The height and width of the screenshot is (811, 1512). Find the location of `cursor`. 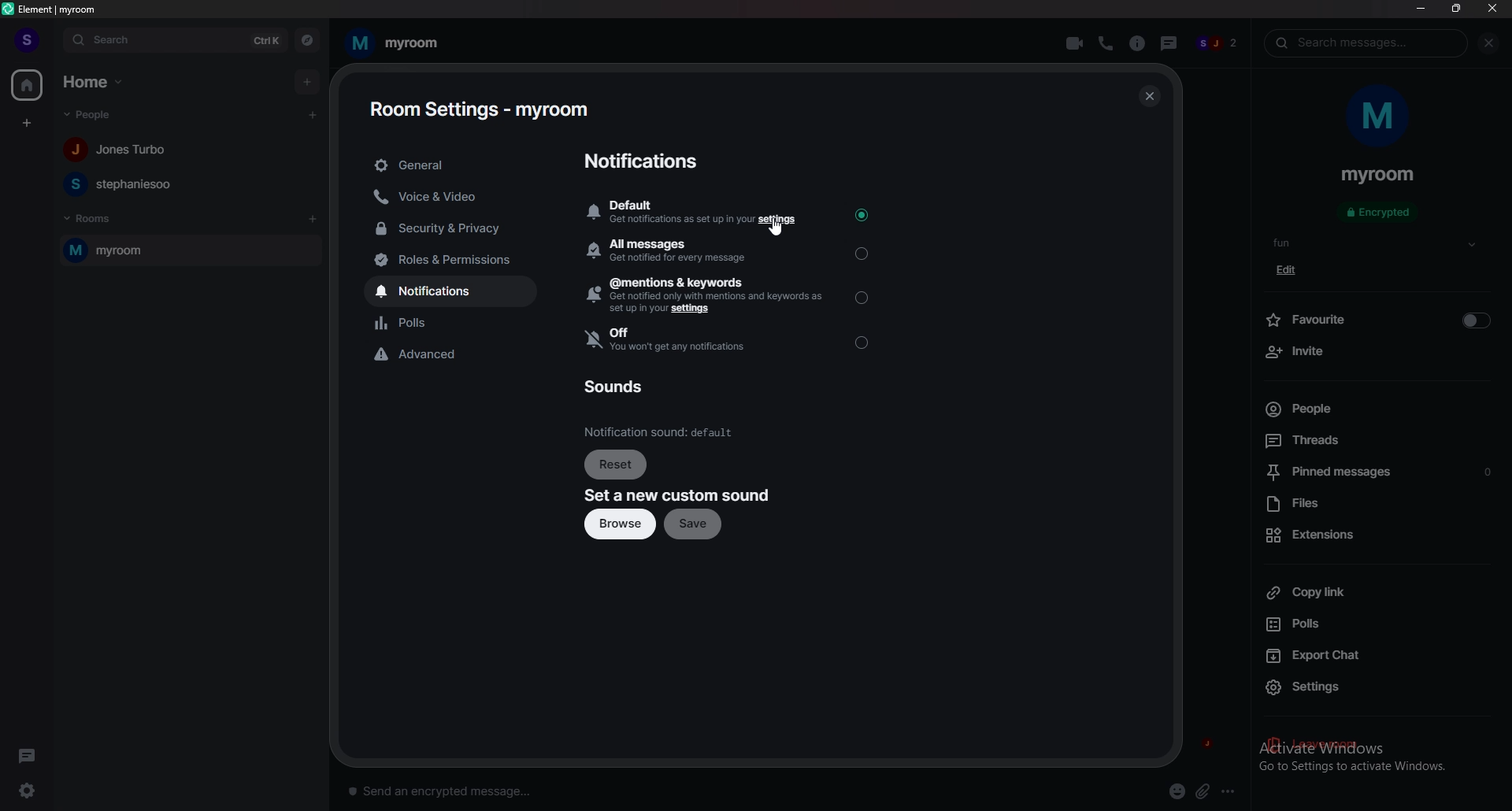

cursor is located at coordinates (776, 229).